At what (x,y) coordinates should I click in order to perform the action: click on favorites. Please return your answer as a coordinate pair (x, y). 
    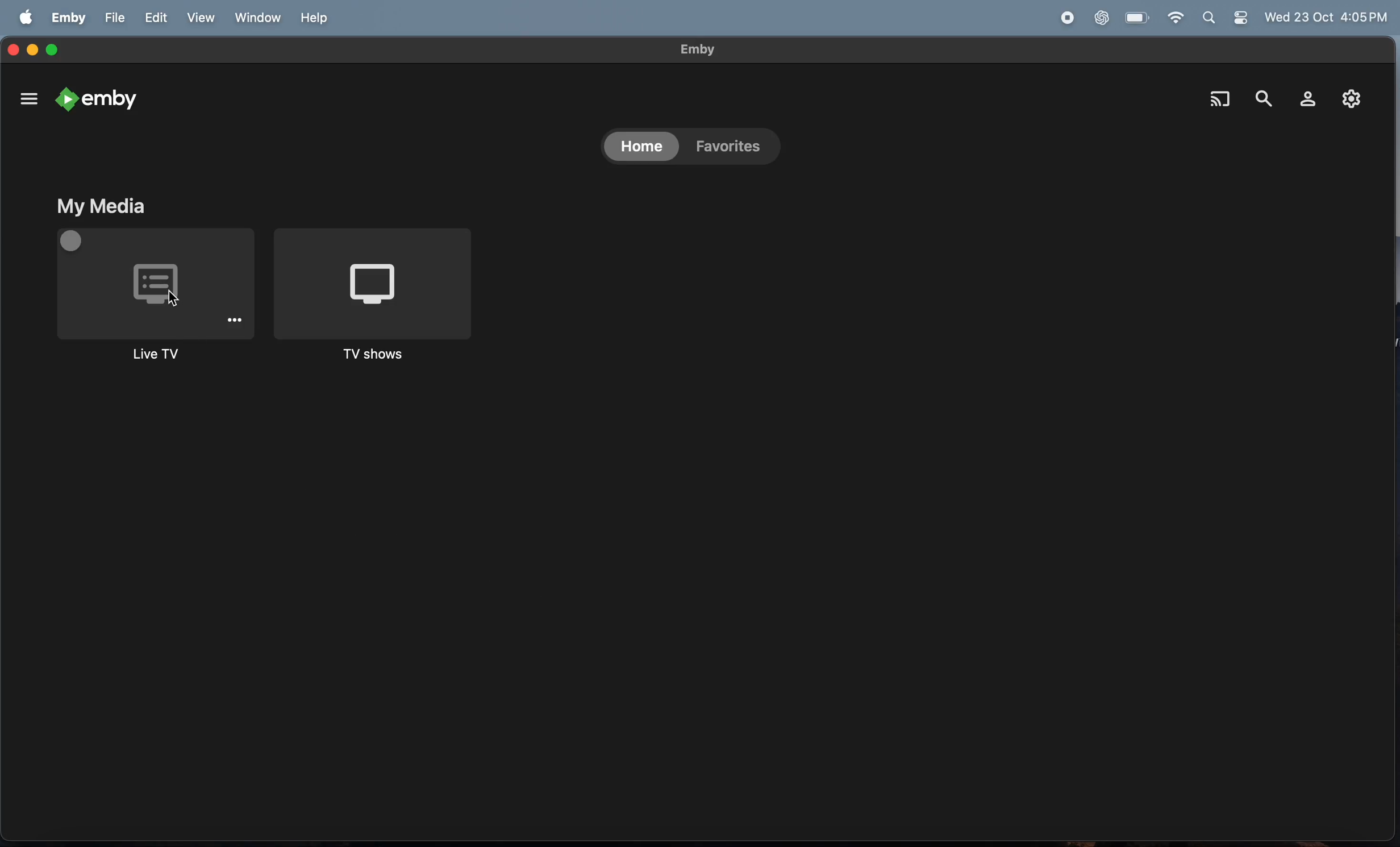
    Looking at the image, I should click on (730, 150).